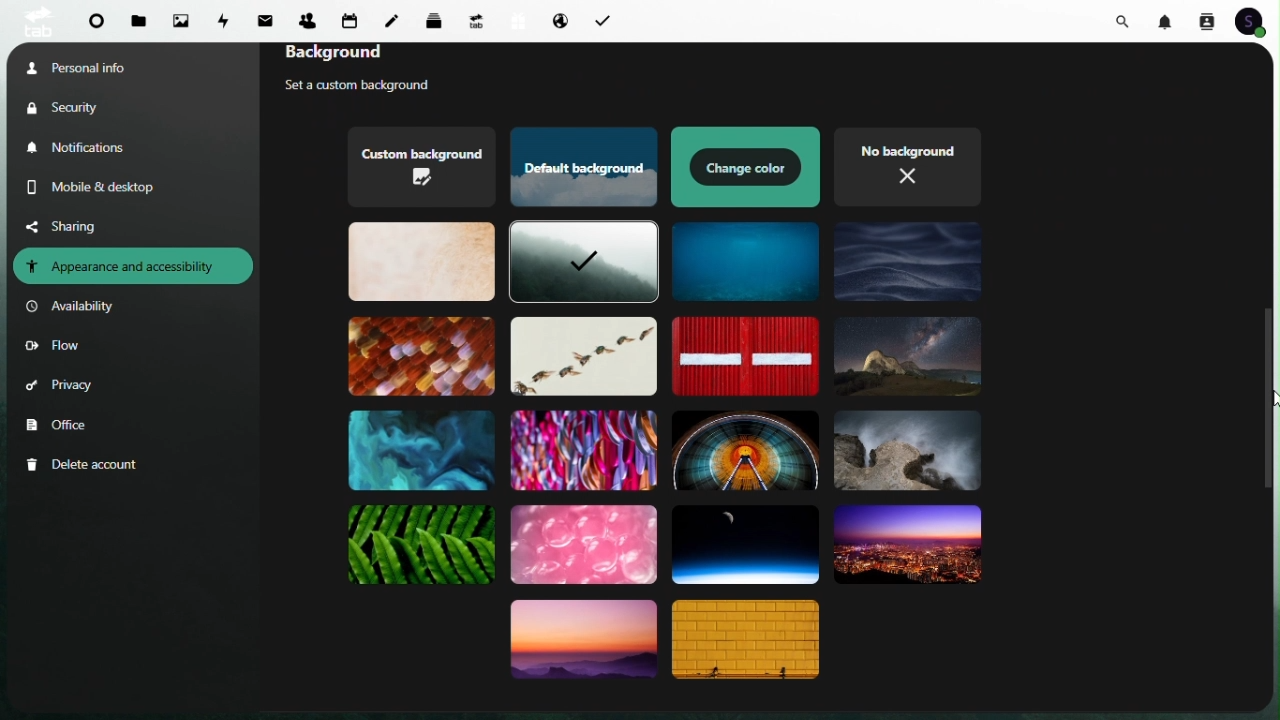 The height and width of the screenshot is (720, 1280). What do you see at coordinates (61, 389) in the screenshot?
I see `Privacy` at bounding box center [61, 389].